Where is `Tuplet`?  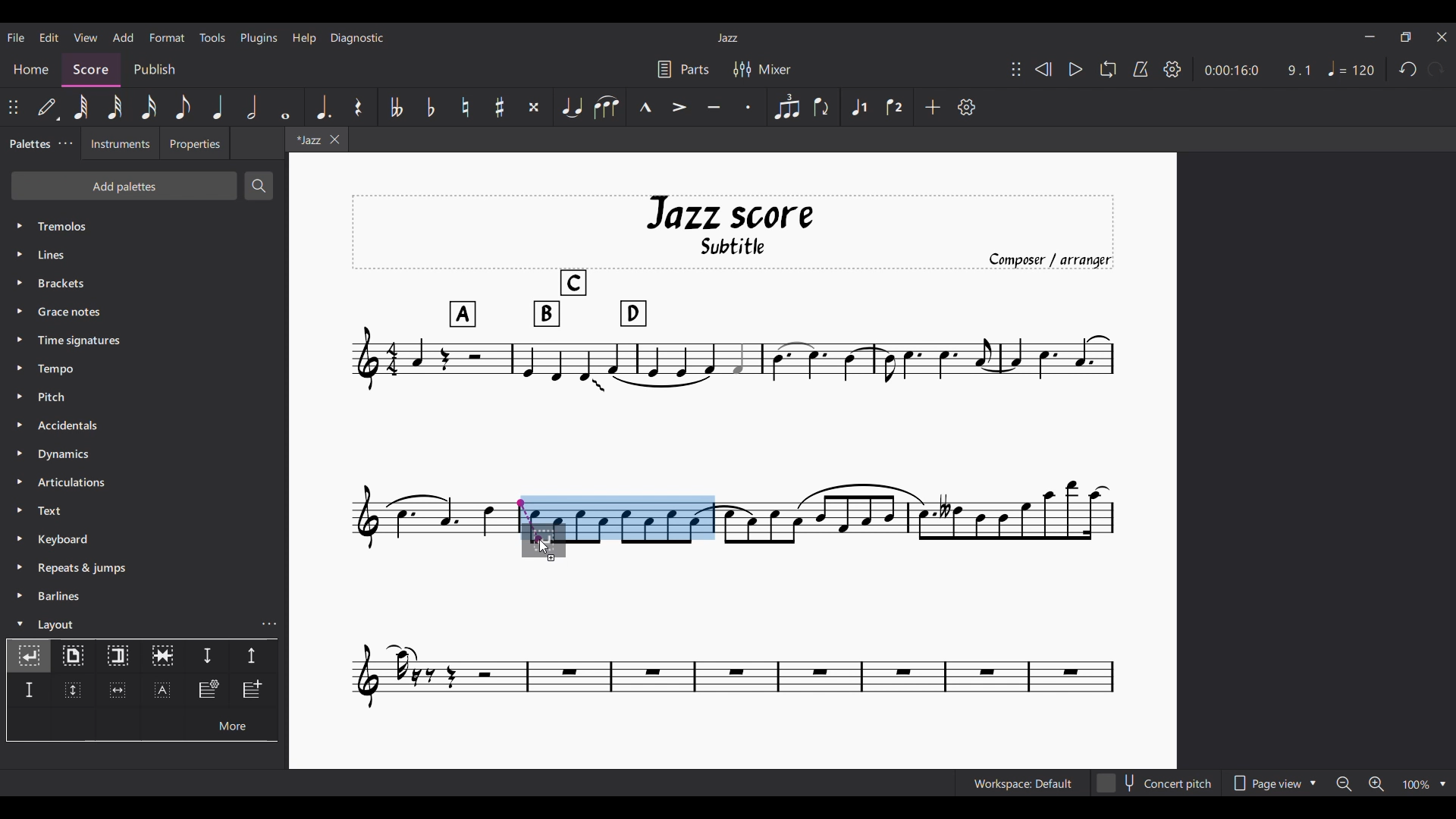
Tuplet is located at coordinates (786, 107).